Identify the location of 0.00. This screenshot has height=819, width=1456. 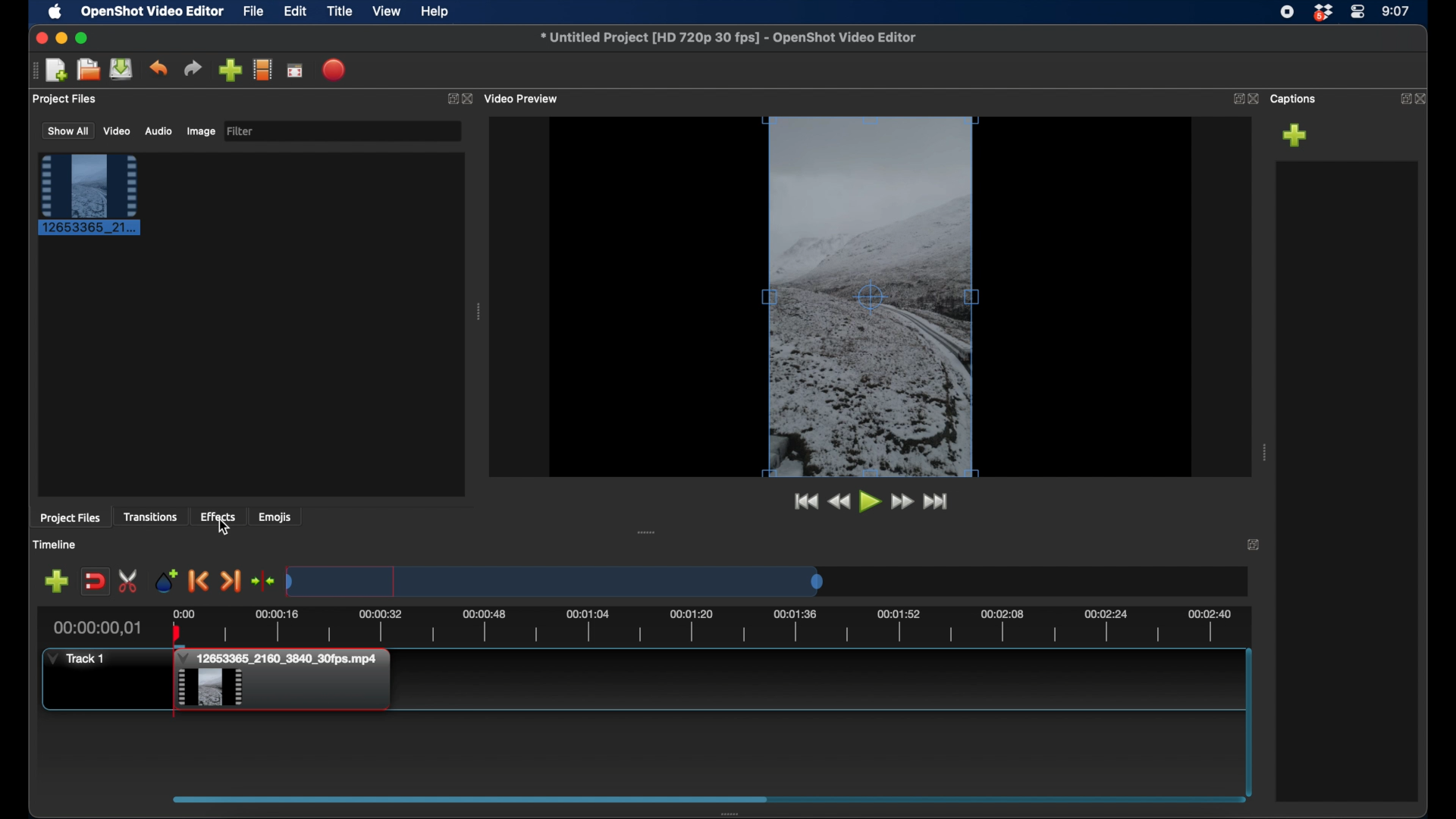
(182, 612).